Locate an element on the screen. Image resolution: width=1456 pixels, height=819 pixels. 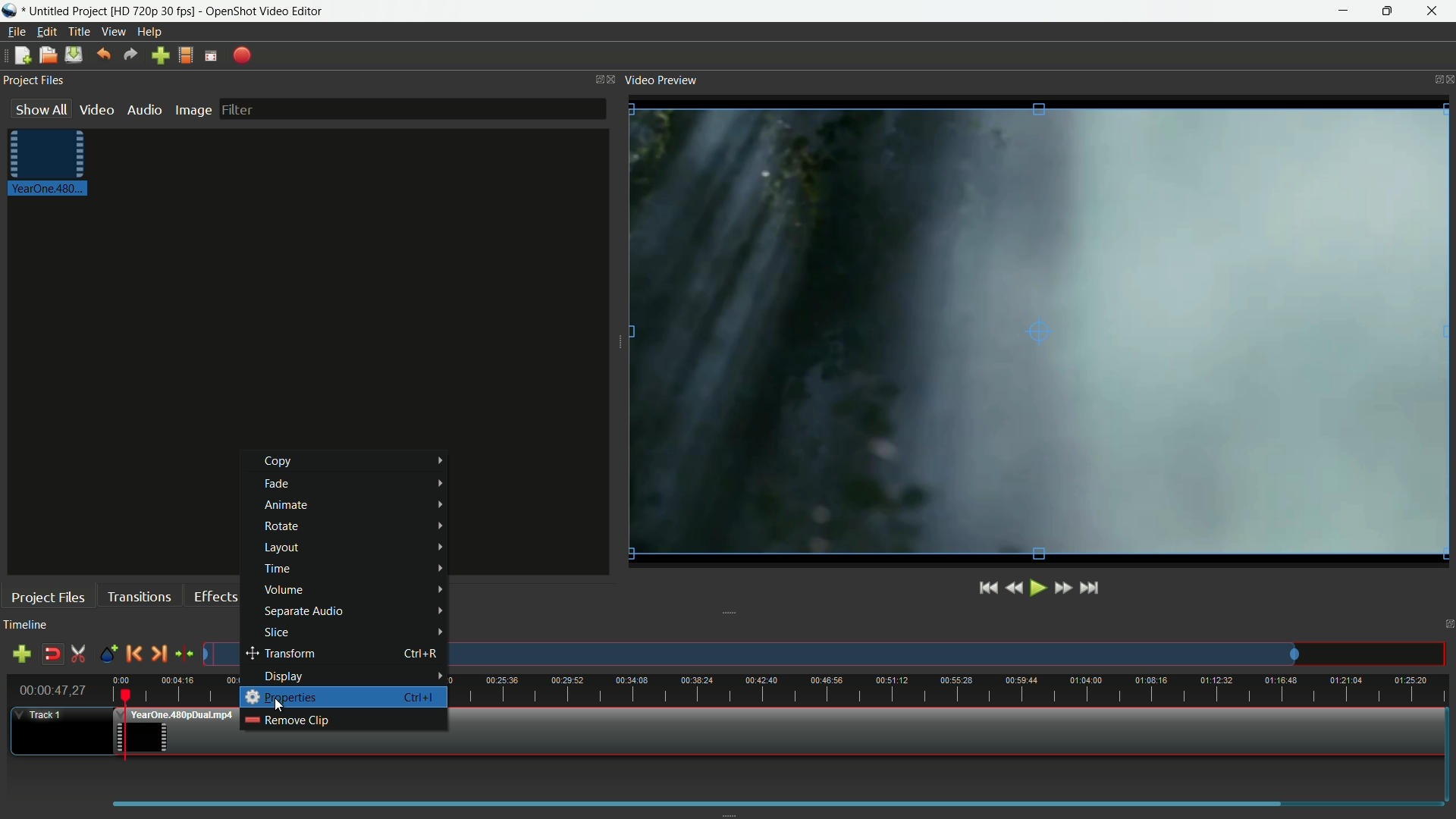
time is located at coordinates (957, 689).